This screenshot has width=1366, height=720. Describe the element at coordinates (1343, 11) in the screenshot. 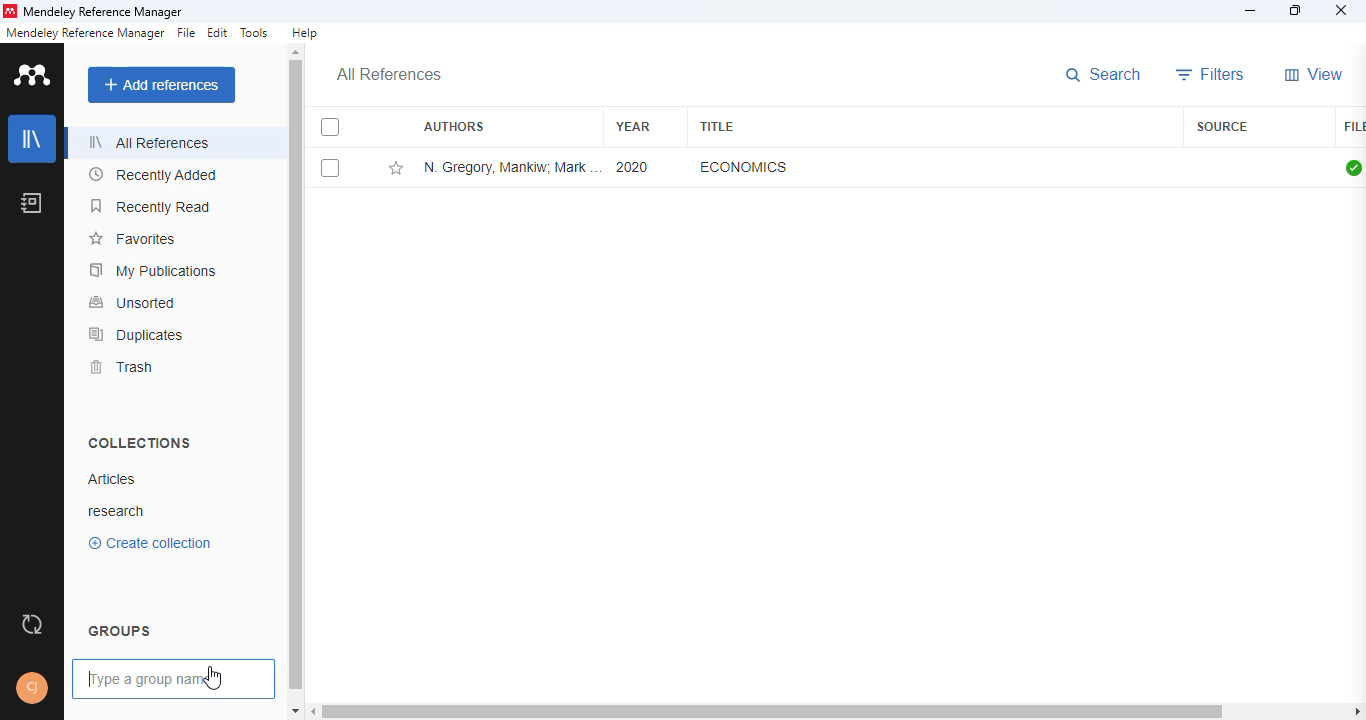

I see `close` at that location.